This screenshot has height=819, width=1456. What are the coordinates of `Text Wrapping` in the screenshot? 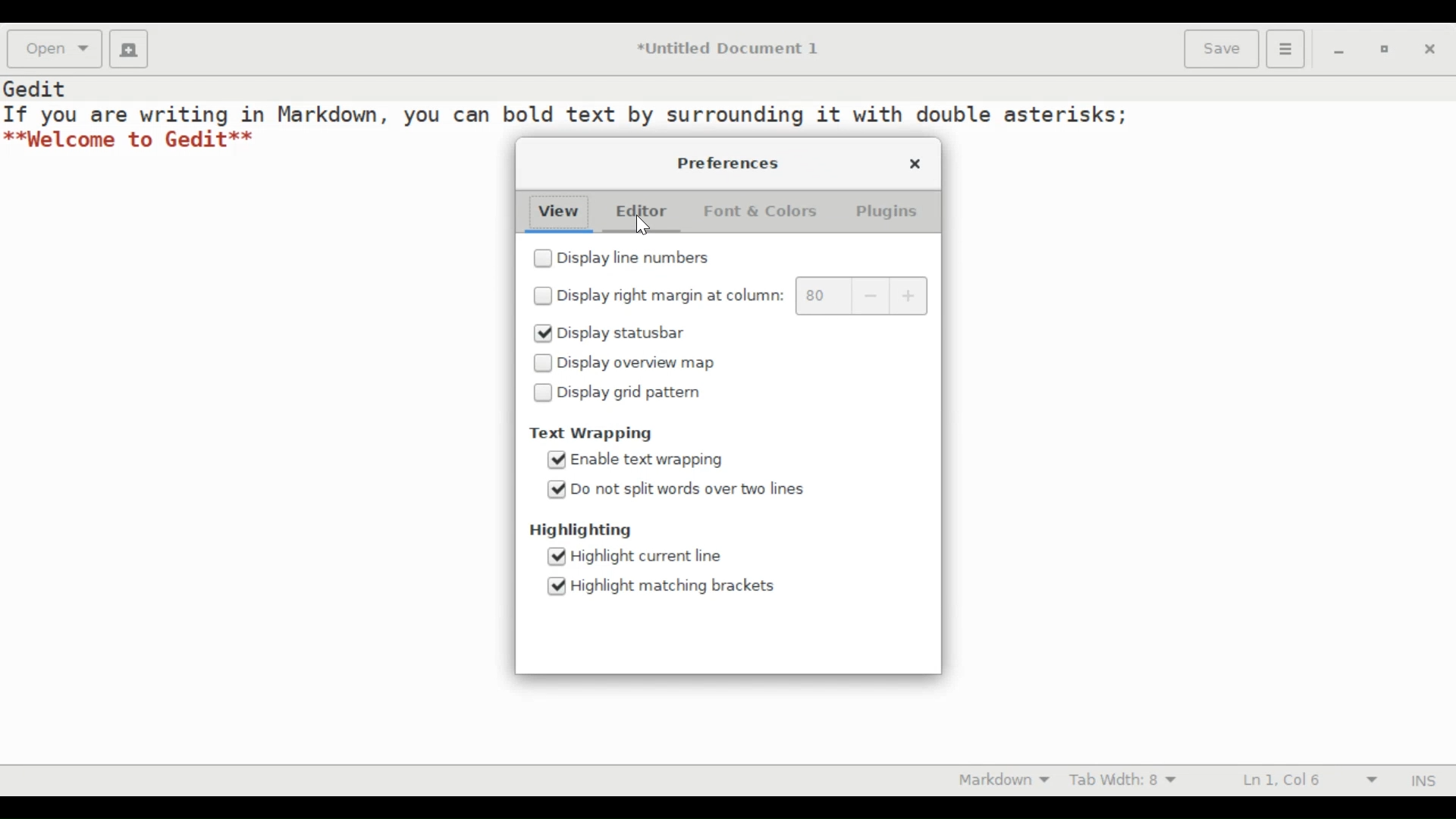 It's located at (592, 434).